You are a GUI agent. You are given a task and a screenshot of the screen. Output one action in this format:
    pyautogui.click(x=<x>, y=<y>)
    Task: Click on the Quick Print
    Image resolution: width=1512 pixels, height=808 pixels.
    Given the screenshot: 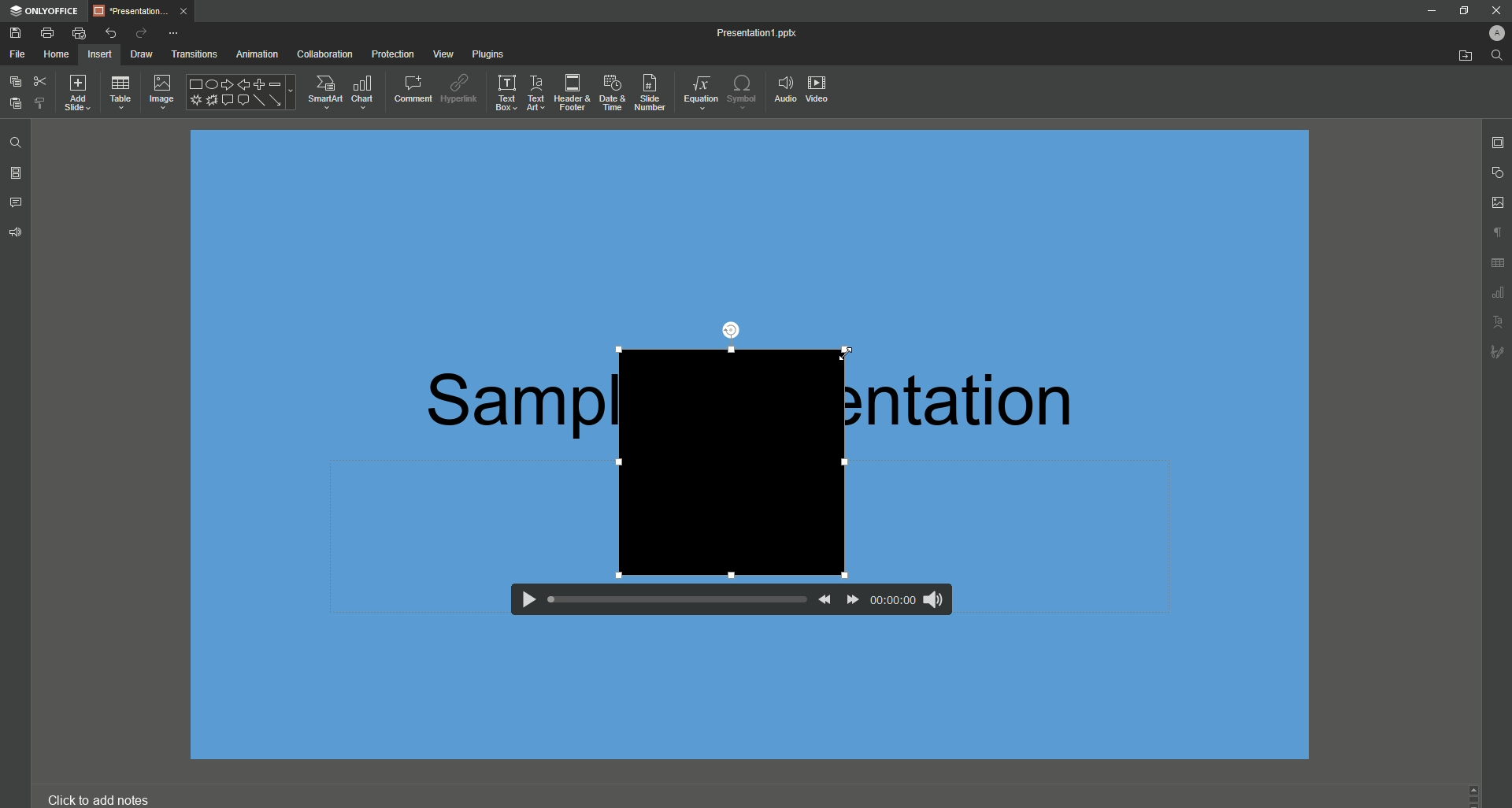 What is the action you would take?
    pyautogui.click(x=80, y=32)
    